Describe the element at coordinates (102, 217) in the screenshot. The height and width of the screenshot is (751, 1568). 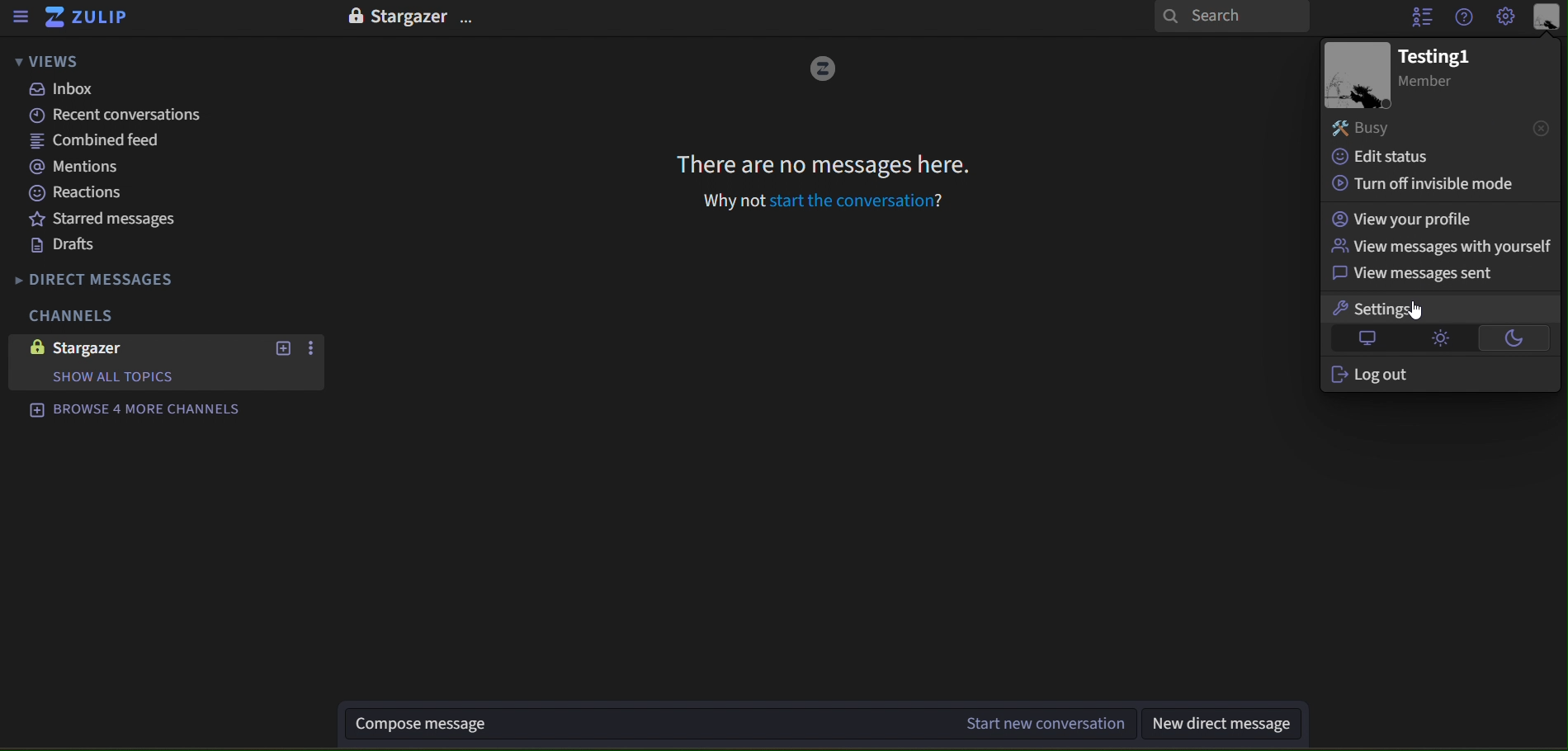
I see `starred messages` at that location.